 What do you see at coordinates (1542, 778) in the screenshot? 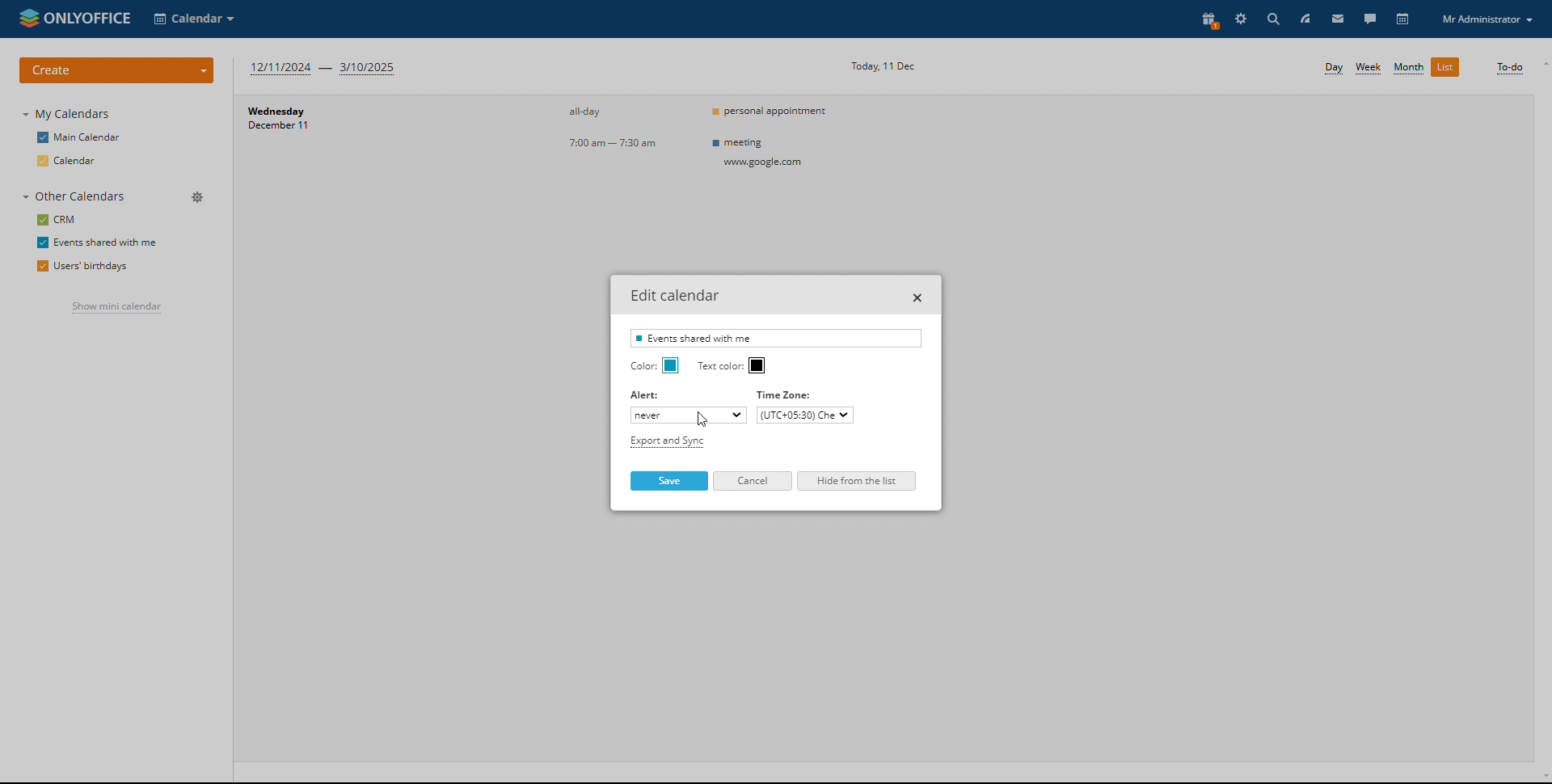
I see `scroll down` at bounding box center [1542, 778].